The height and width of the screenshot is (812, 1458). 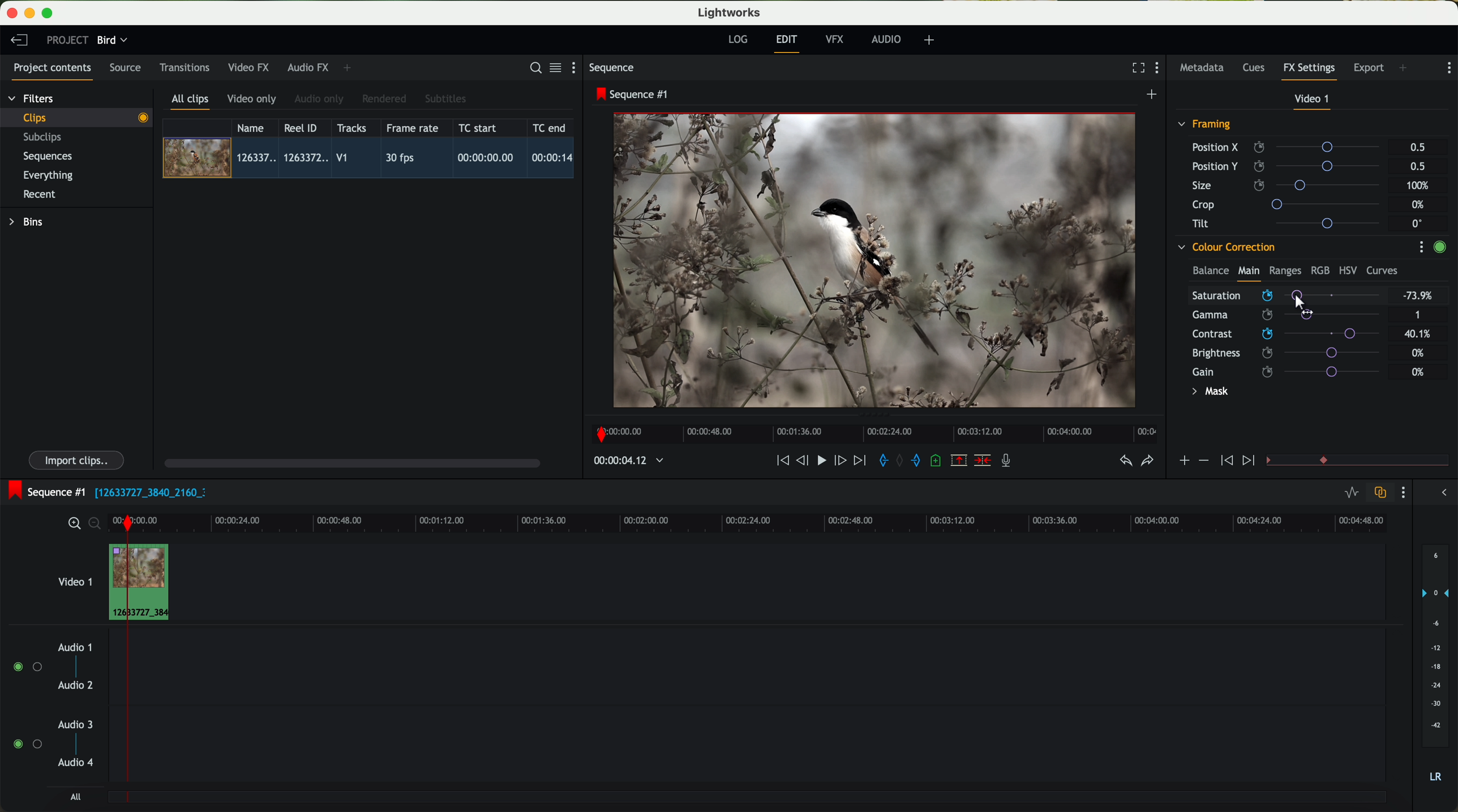 I want to click on scroll bar, so click(x=351, y=462).